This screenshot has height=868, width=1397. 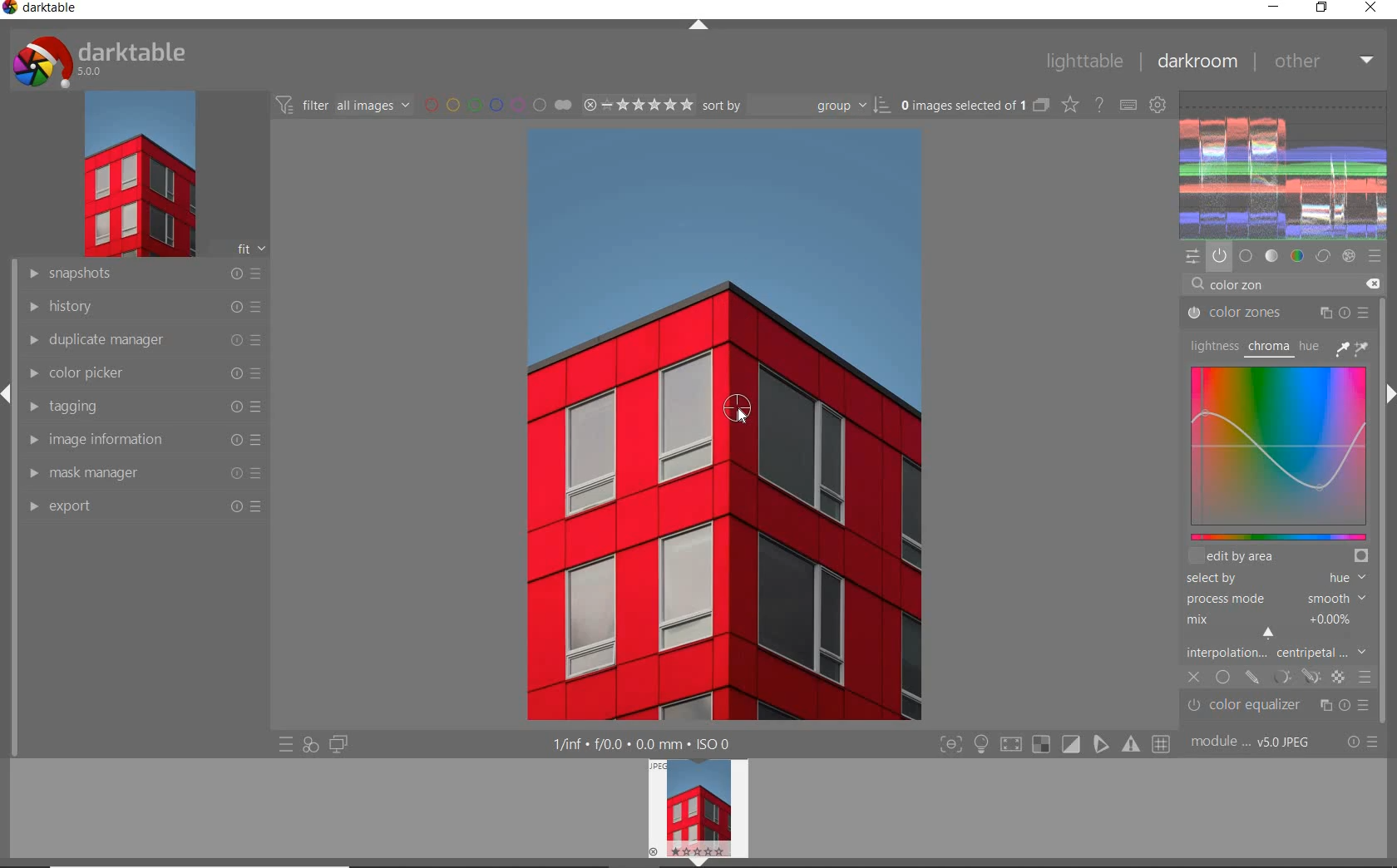 What do you see at coordinates (1270, 632) in the screenshot?
I see `` at bounding box center [1270, 632].